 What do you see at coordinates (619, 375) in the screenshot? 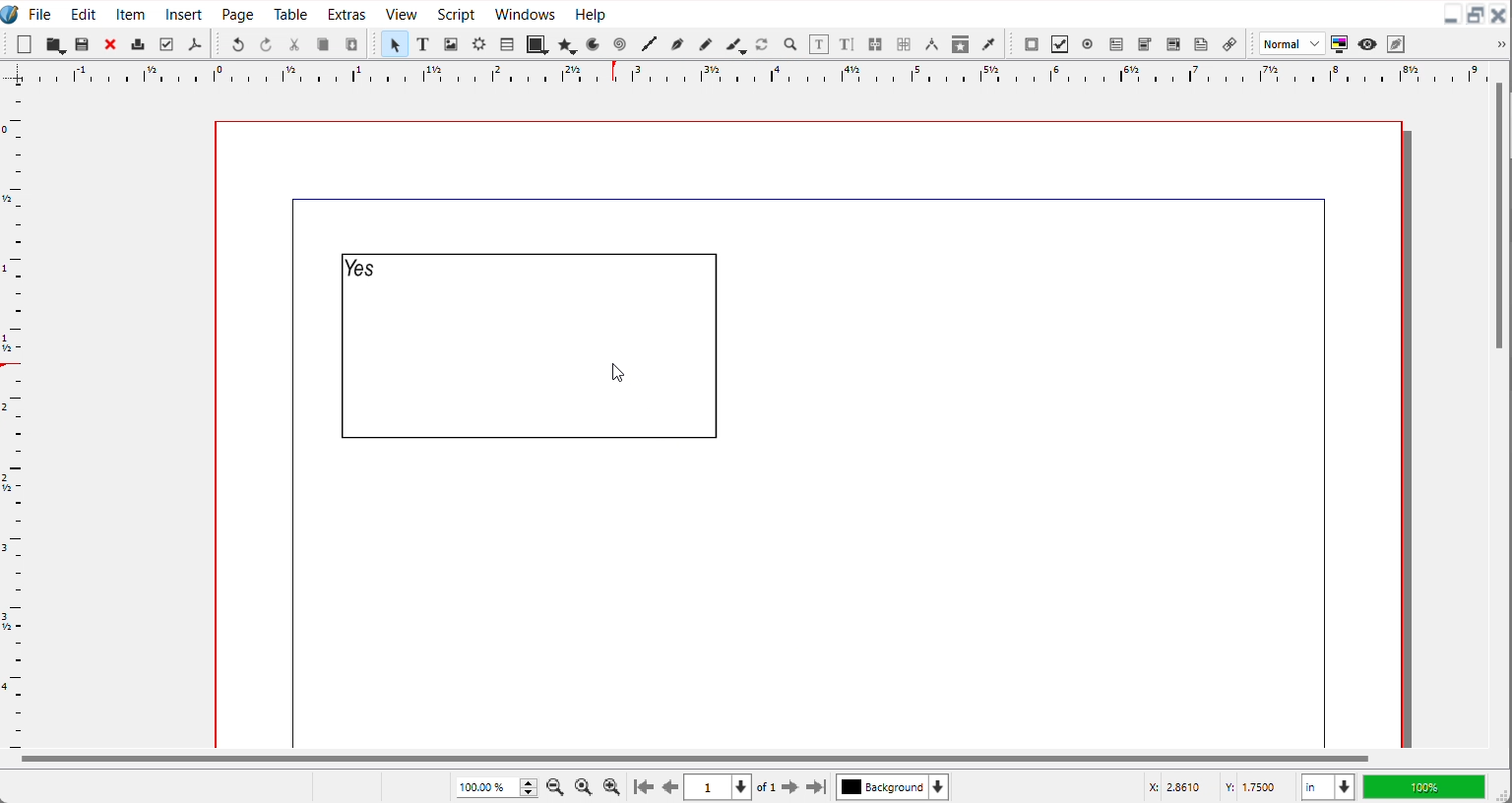
I see `Cursor` at bounding box center [619, 375].